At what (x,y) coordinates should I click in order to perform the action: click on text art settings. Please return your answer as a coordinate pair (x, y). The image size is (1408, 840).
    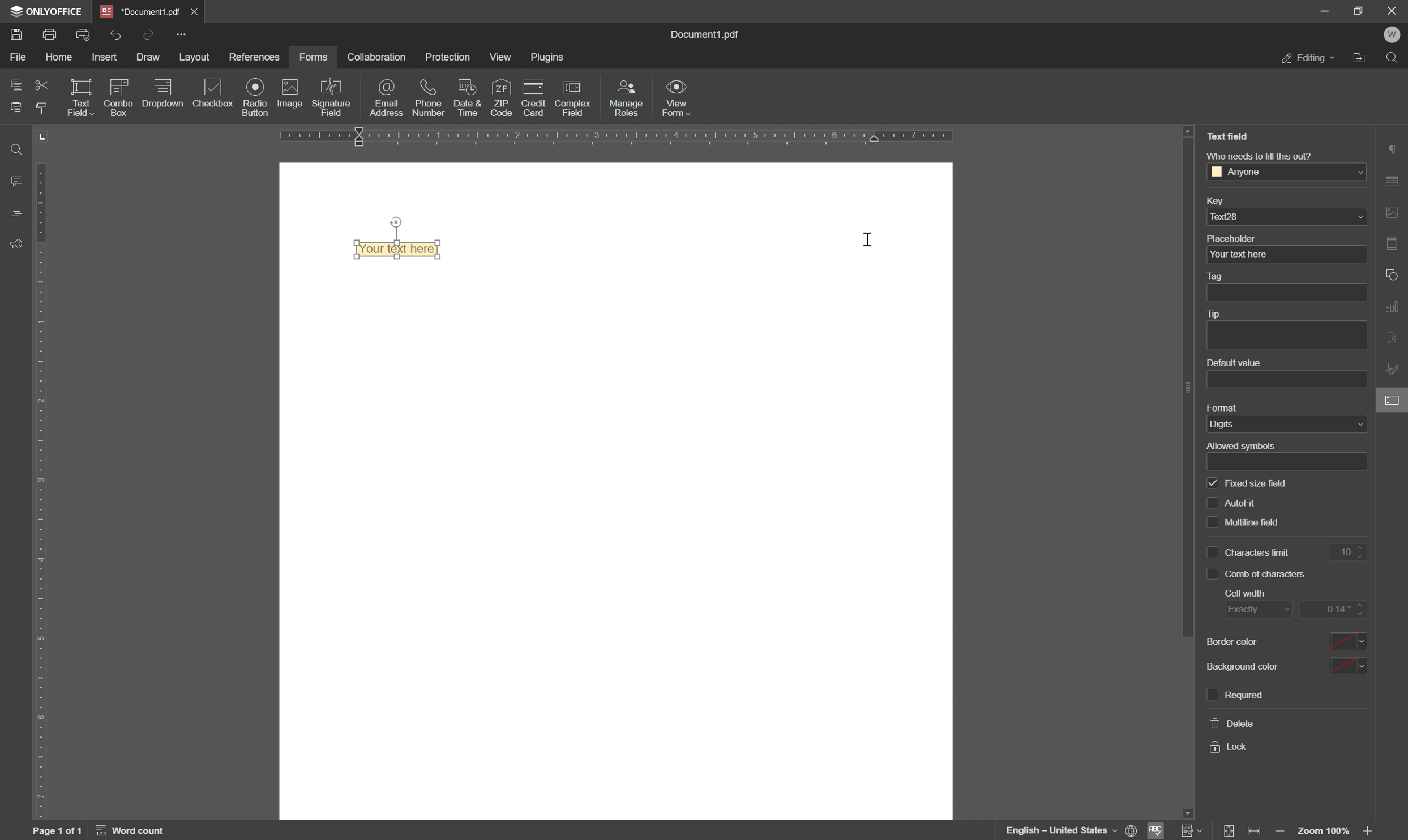
    Looking at the image, I should click on (1394, 333).